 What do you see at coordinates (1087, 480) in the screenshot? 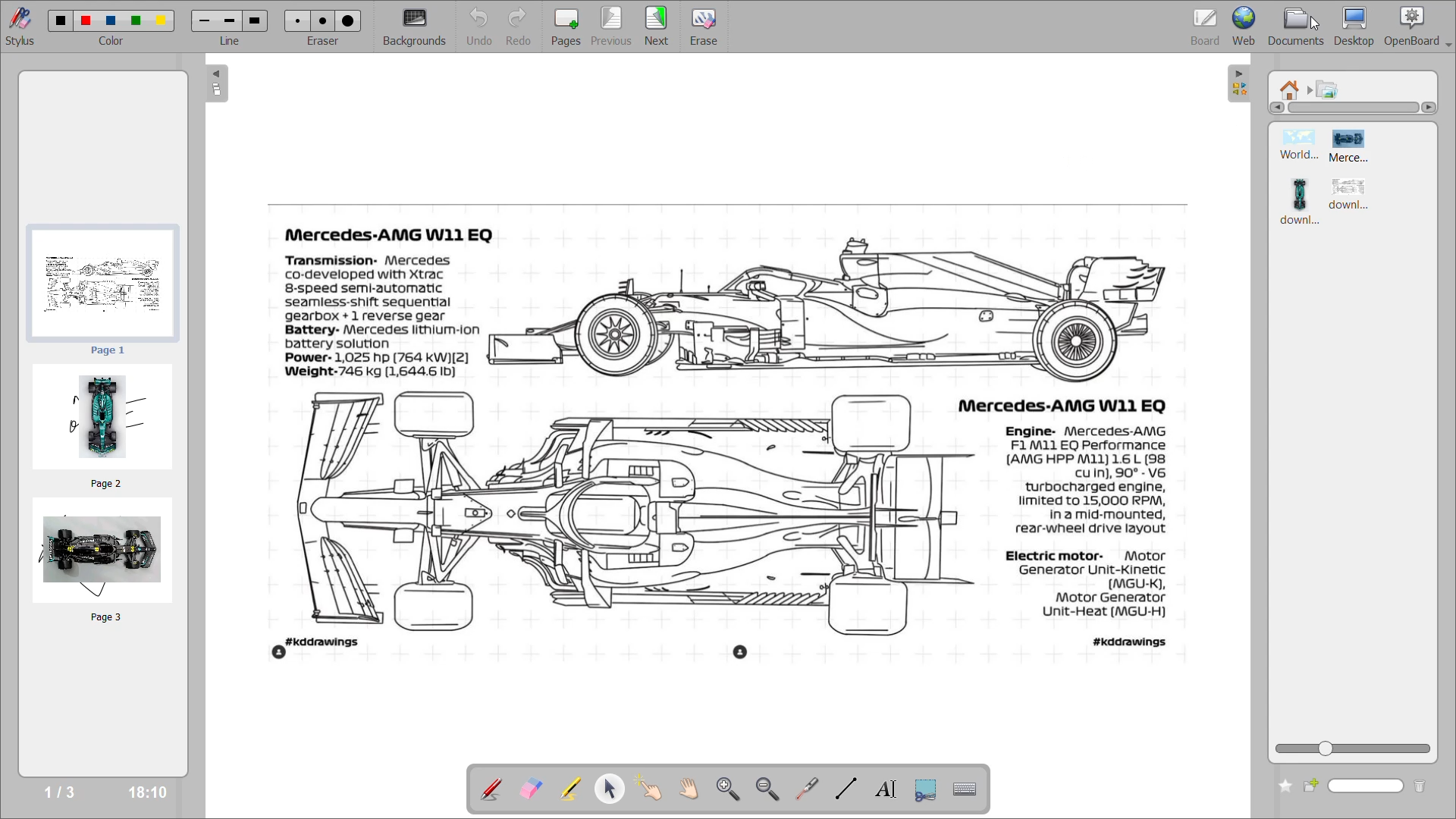
I see `Engine- Mercedes-AMGF1 M11 EQ Performance(AMG HPP M11) 1.6 L (98cu in), 90° - V6 turbocharged engine, limited to 15,000 RPM, In a mid-mounted, rear -wheel drive layout` at bounding box center [1087, 480].